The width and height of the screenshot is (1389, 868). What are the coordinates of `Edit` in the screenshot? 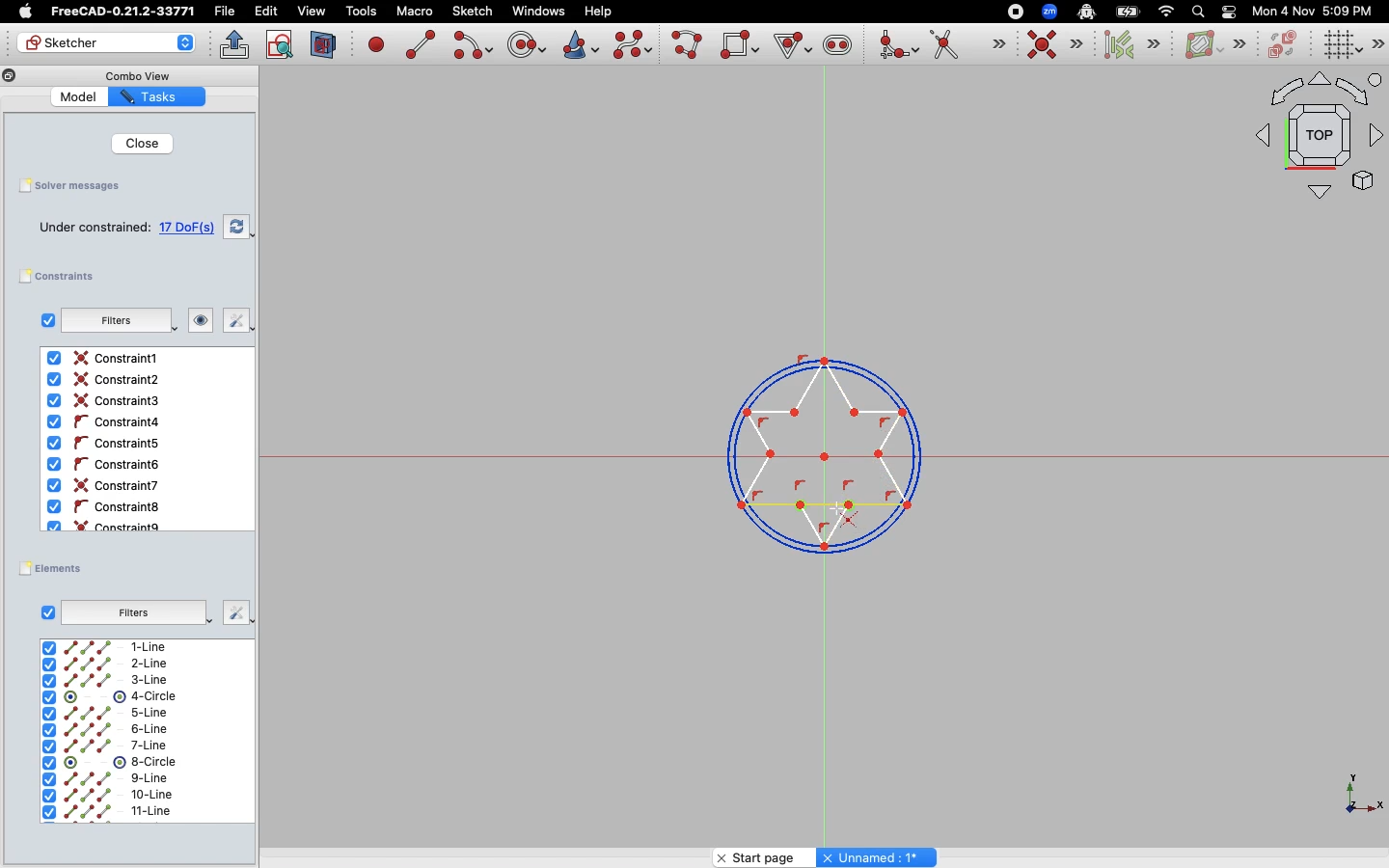 It's located at (266, 12).